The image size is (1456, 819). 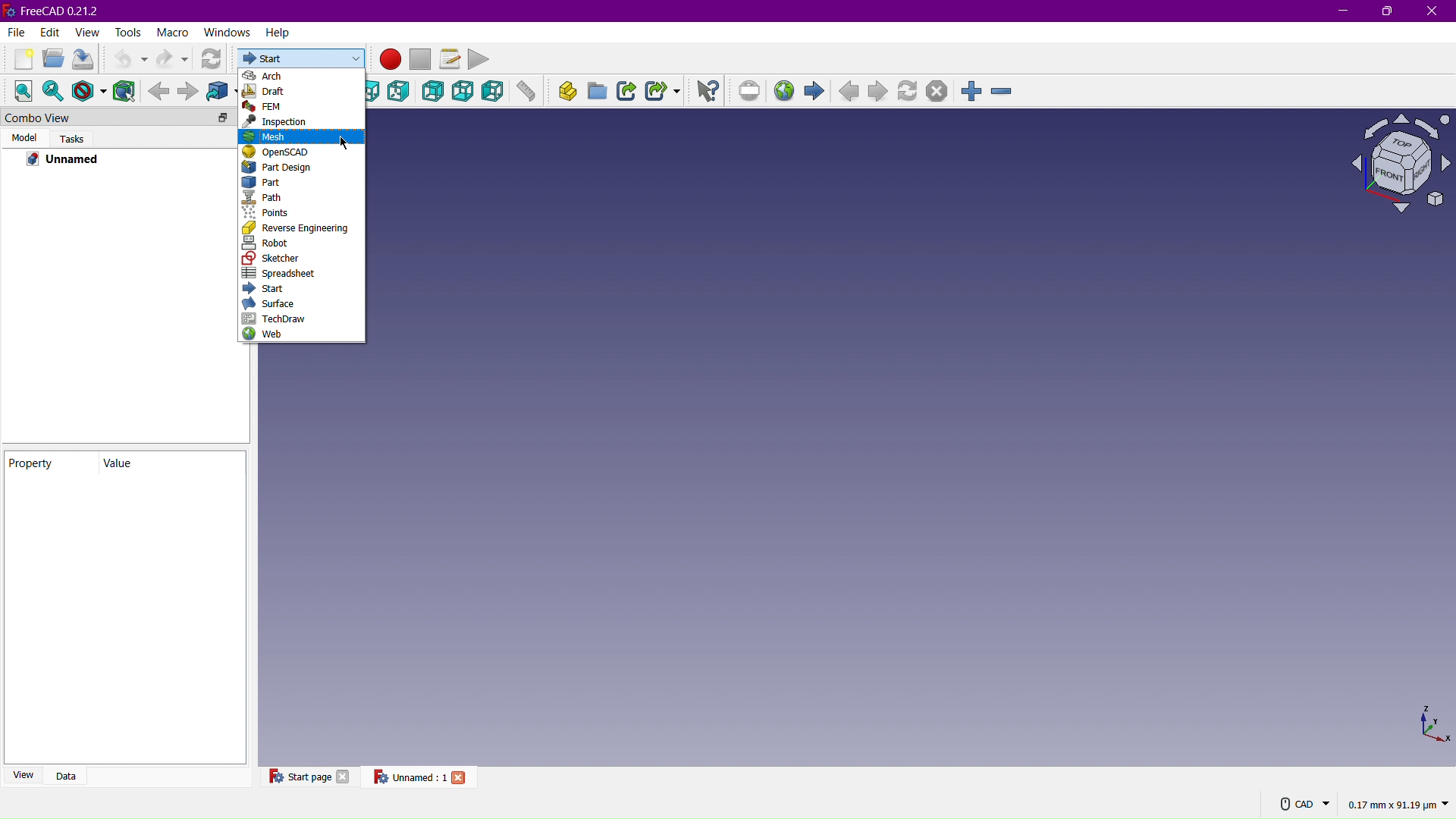 I want to click on Tasks, so click(x=71, y=138).